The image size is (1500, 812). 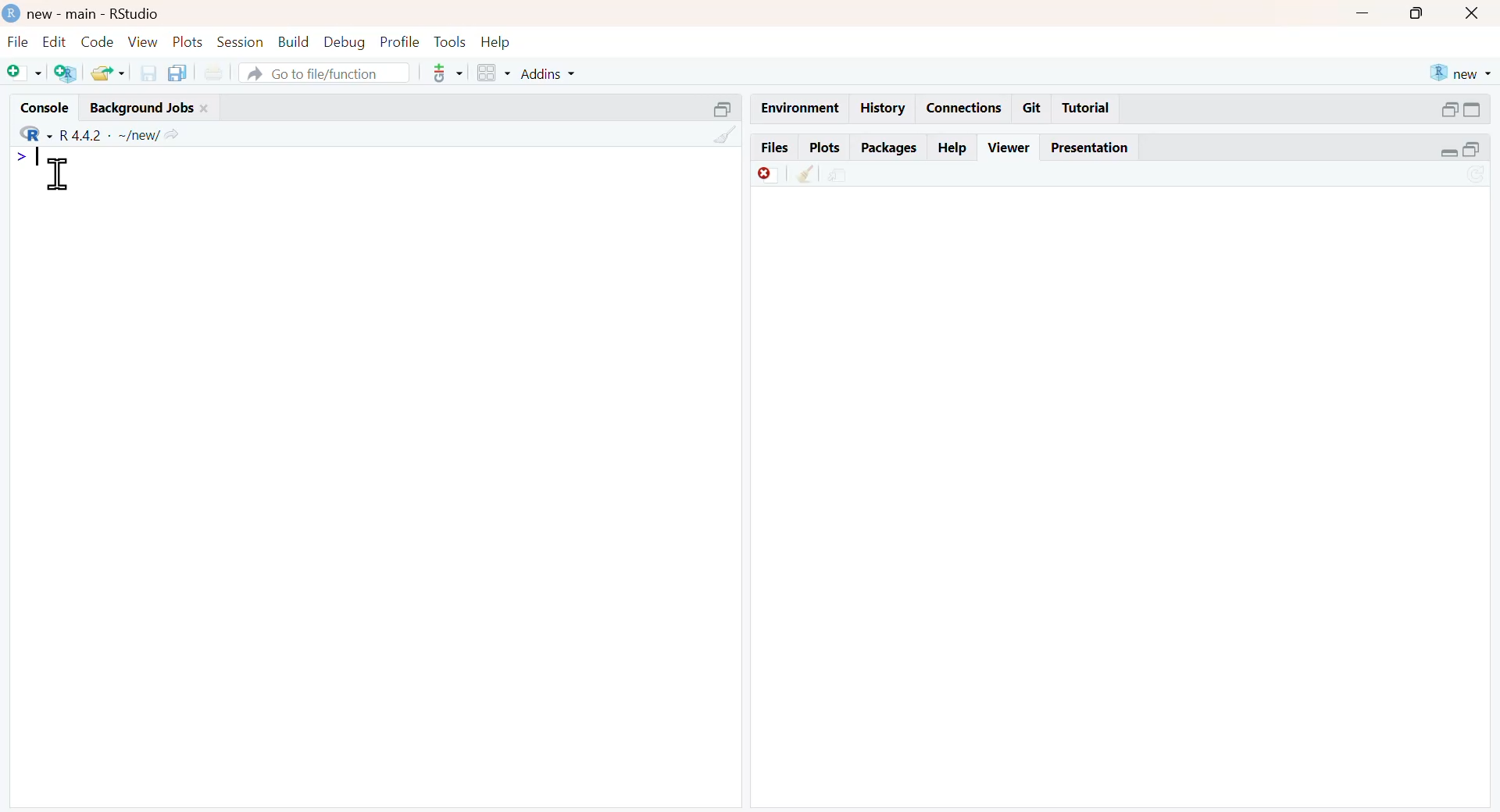 I want to click on debug, so click(x=346, y=41).